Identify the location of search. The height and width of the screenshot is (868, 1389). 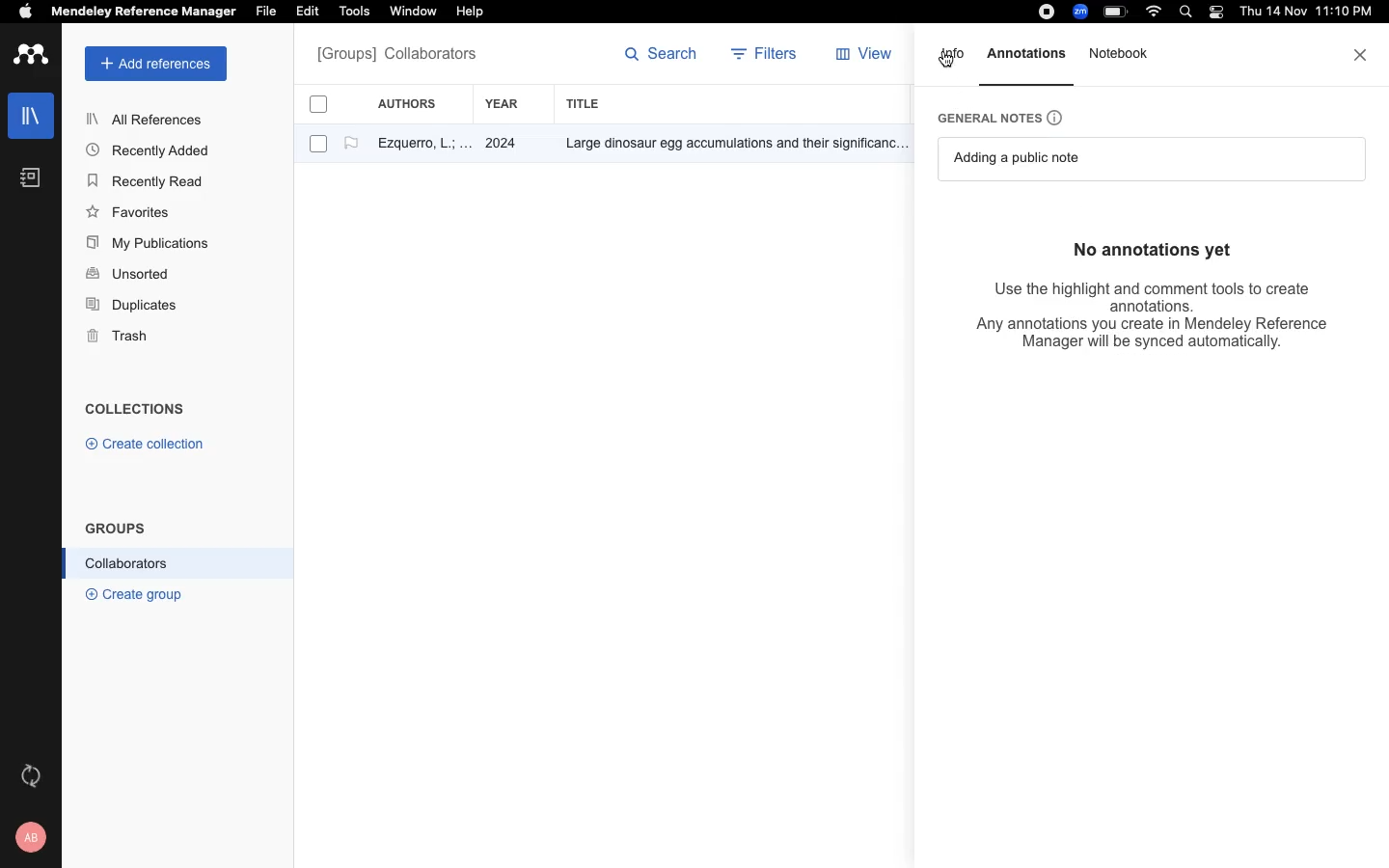
(662, 58).